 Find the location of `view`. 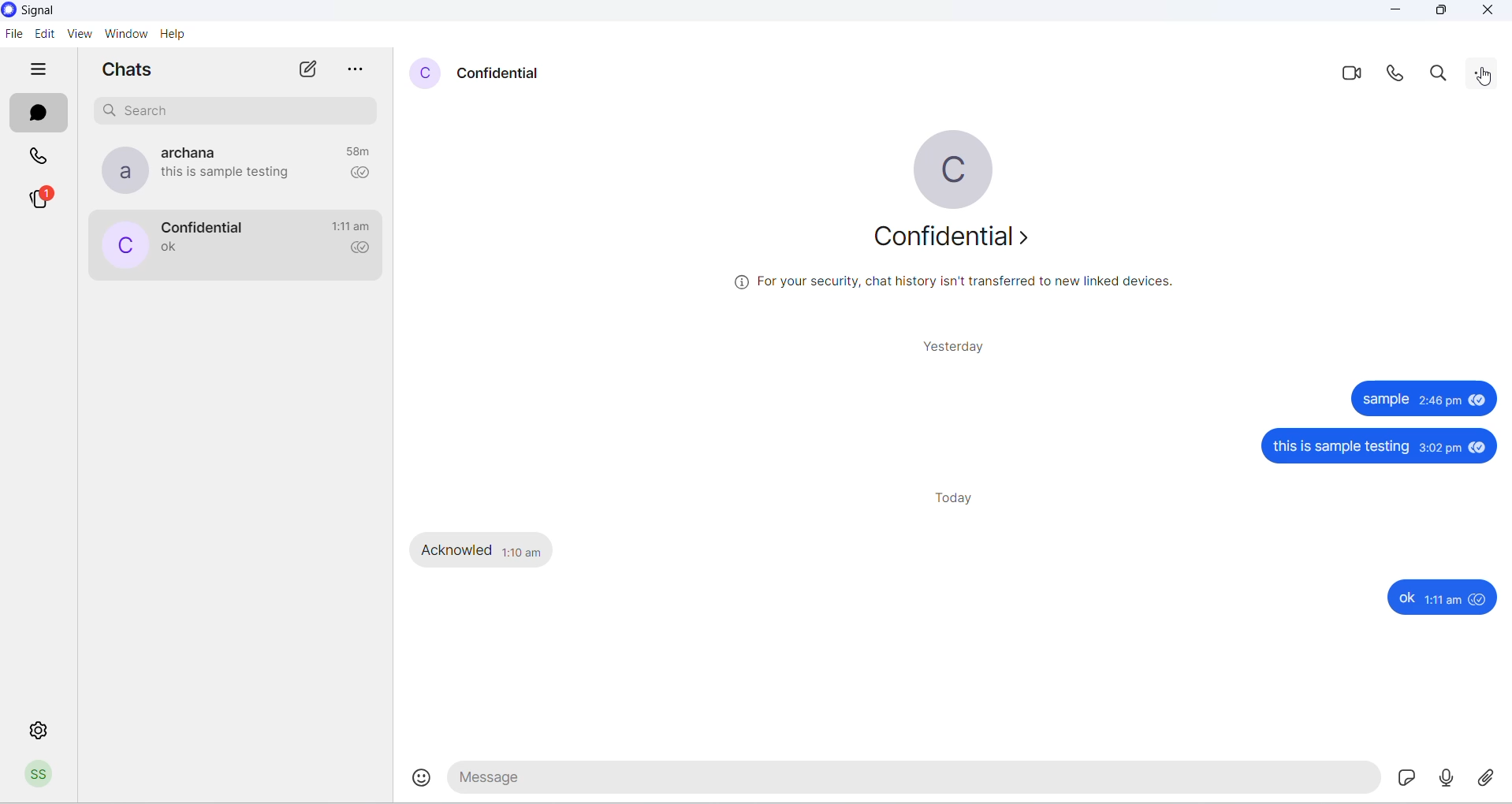

view is located at coordinates (80, 35).